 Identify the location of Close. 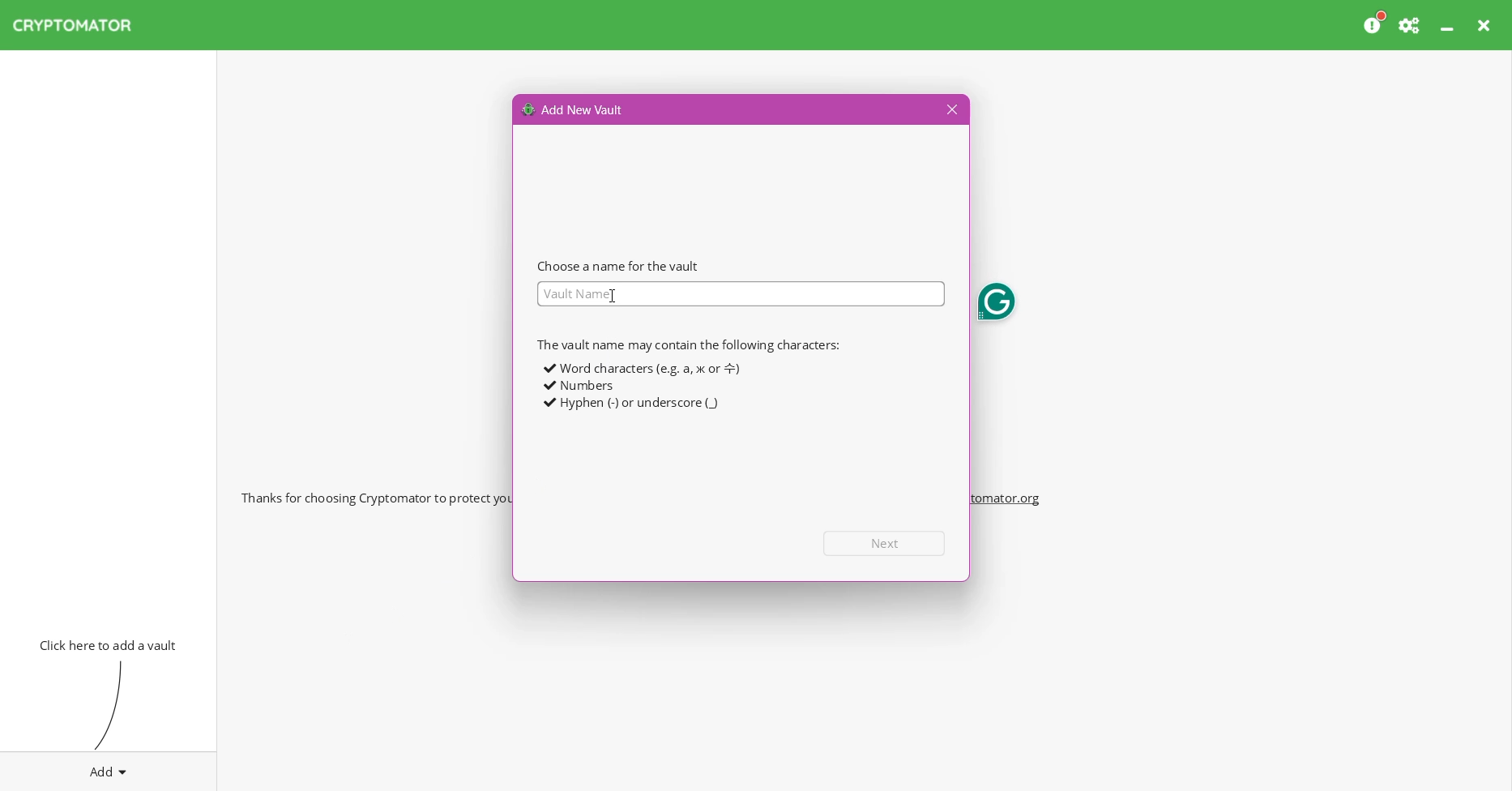
(950, 110).